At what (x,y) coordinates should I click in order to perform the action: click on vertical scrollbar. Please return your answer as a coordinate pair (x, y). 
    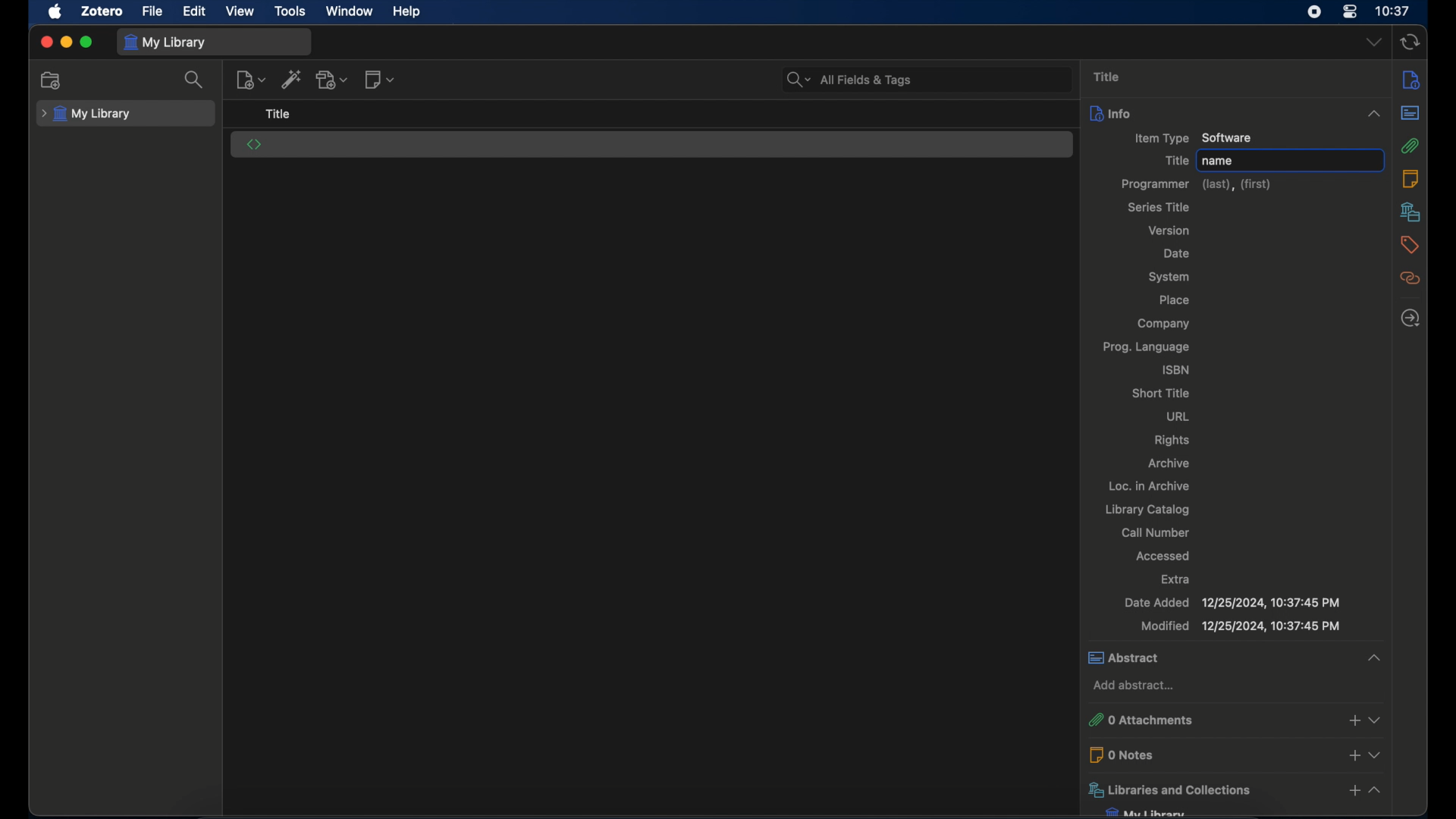
    Looking at the image, I should click on (1386, 492).